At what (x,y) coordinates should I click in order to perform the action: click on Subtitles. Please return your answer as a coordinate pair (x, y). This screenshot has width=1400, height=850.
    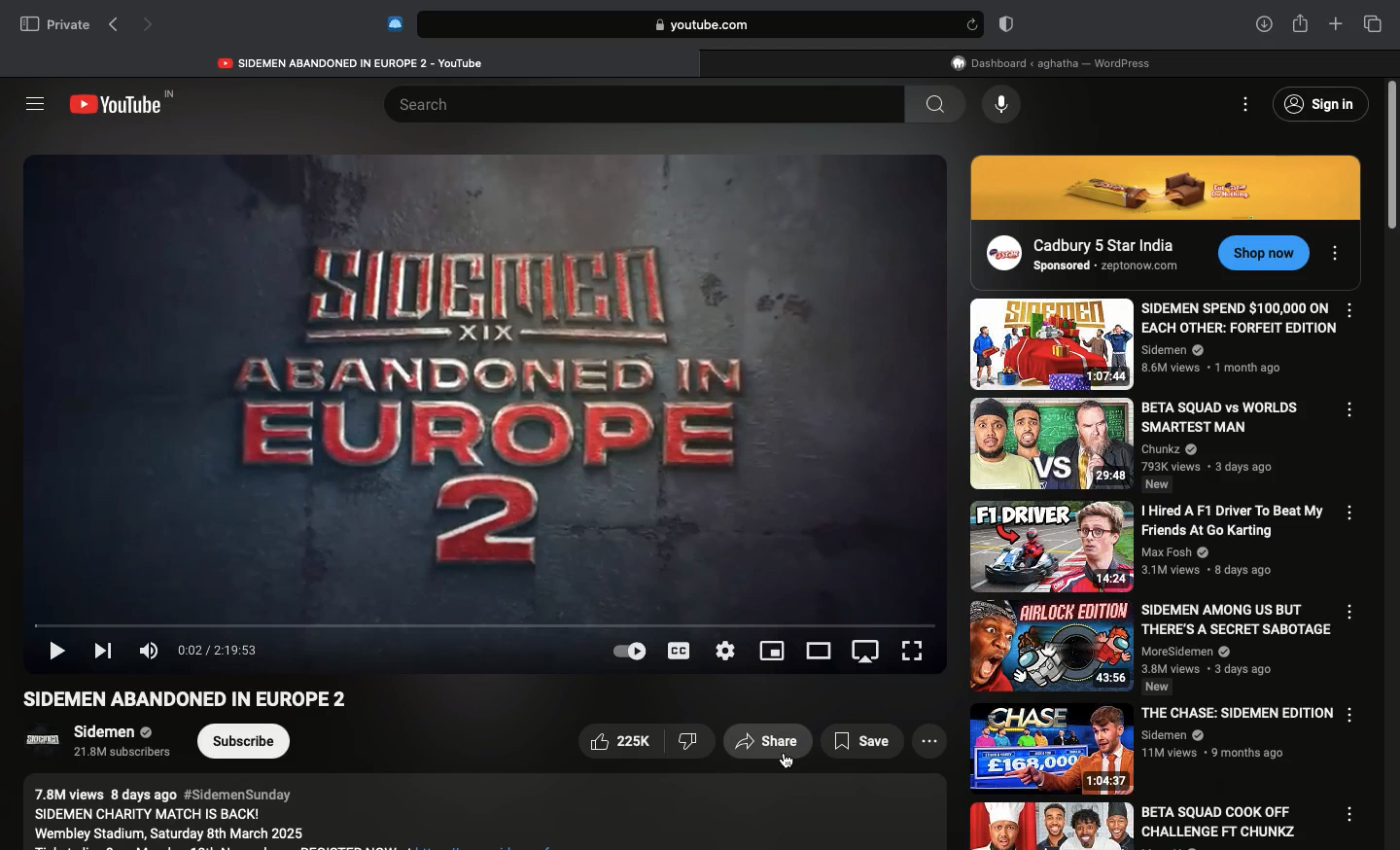
    Looking at the image, I should click on (681, 651).